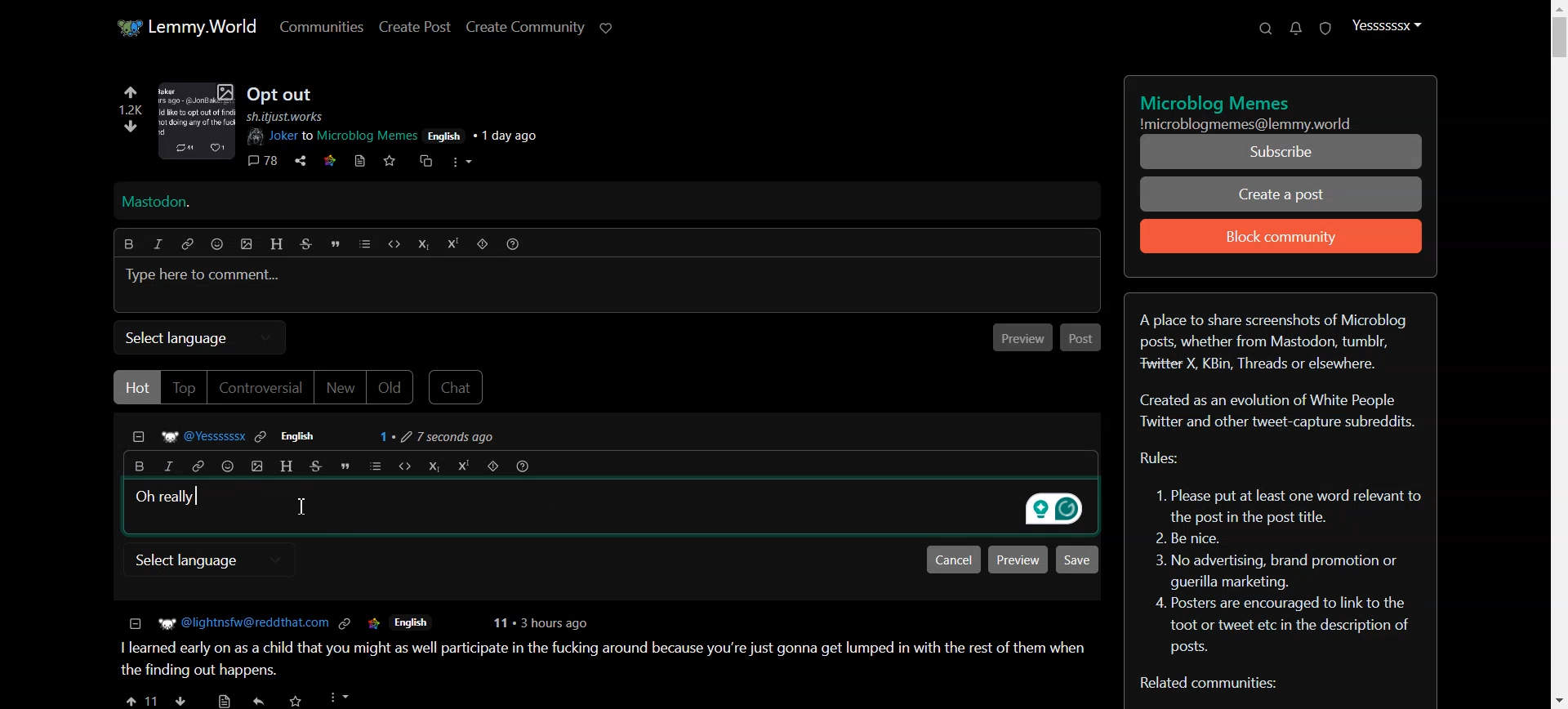 This screenshot has height=709, width=1568. Describe the element at coordinates (189, 243) in the screenshot. I see `Hyperlink` at that location.